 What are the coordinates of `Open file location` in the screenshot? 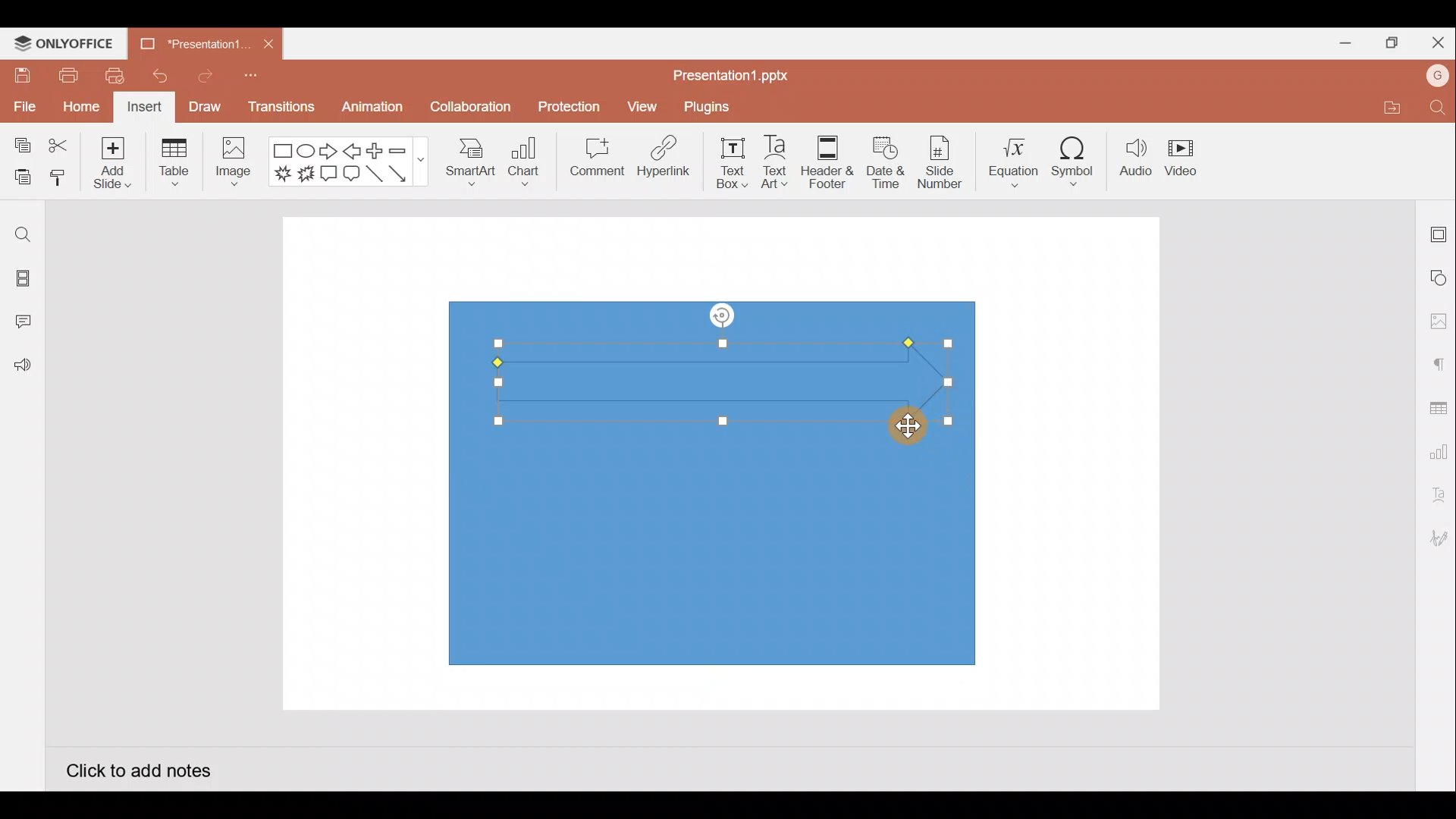 It's located at (1389, 107).